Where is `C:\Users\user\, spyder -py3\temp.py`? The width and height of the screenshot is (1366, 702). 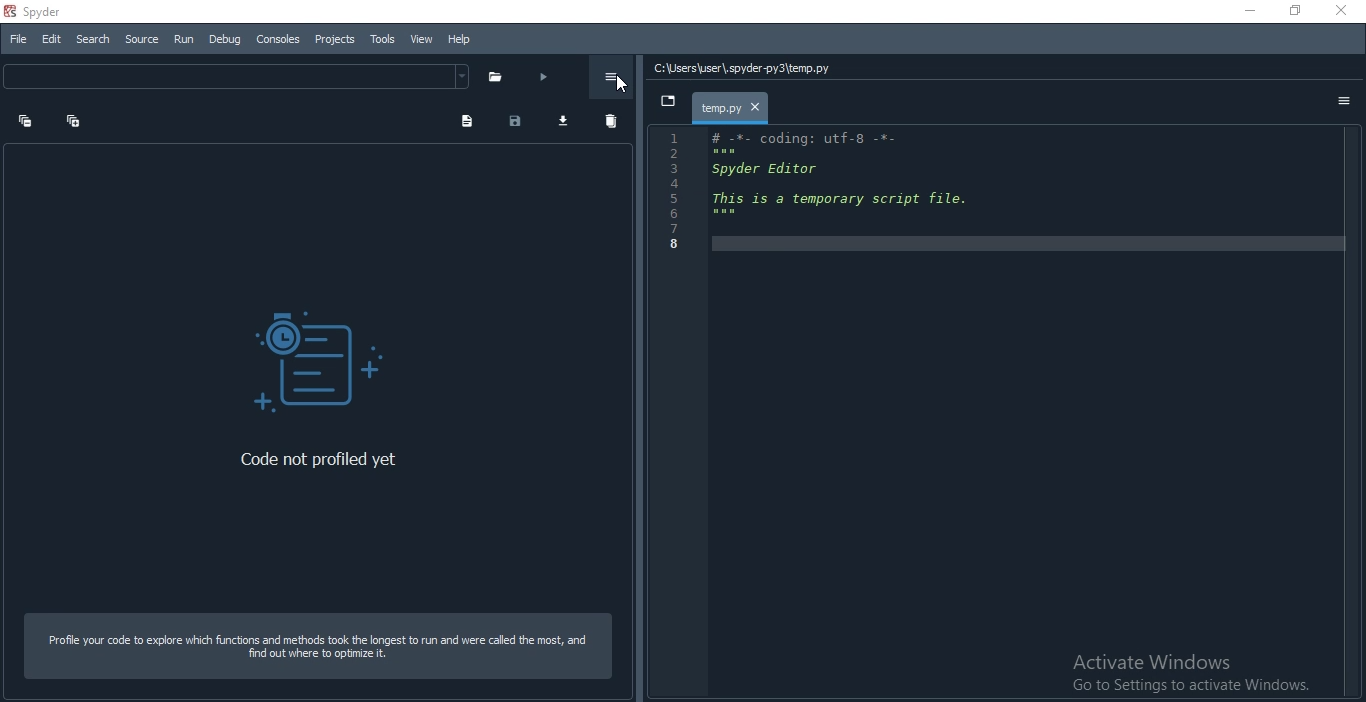 C:\Users\user\, spyder -py3\temp.py is located at coordinates (746, 69).